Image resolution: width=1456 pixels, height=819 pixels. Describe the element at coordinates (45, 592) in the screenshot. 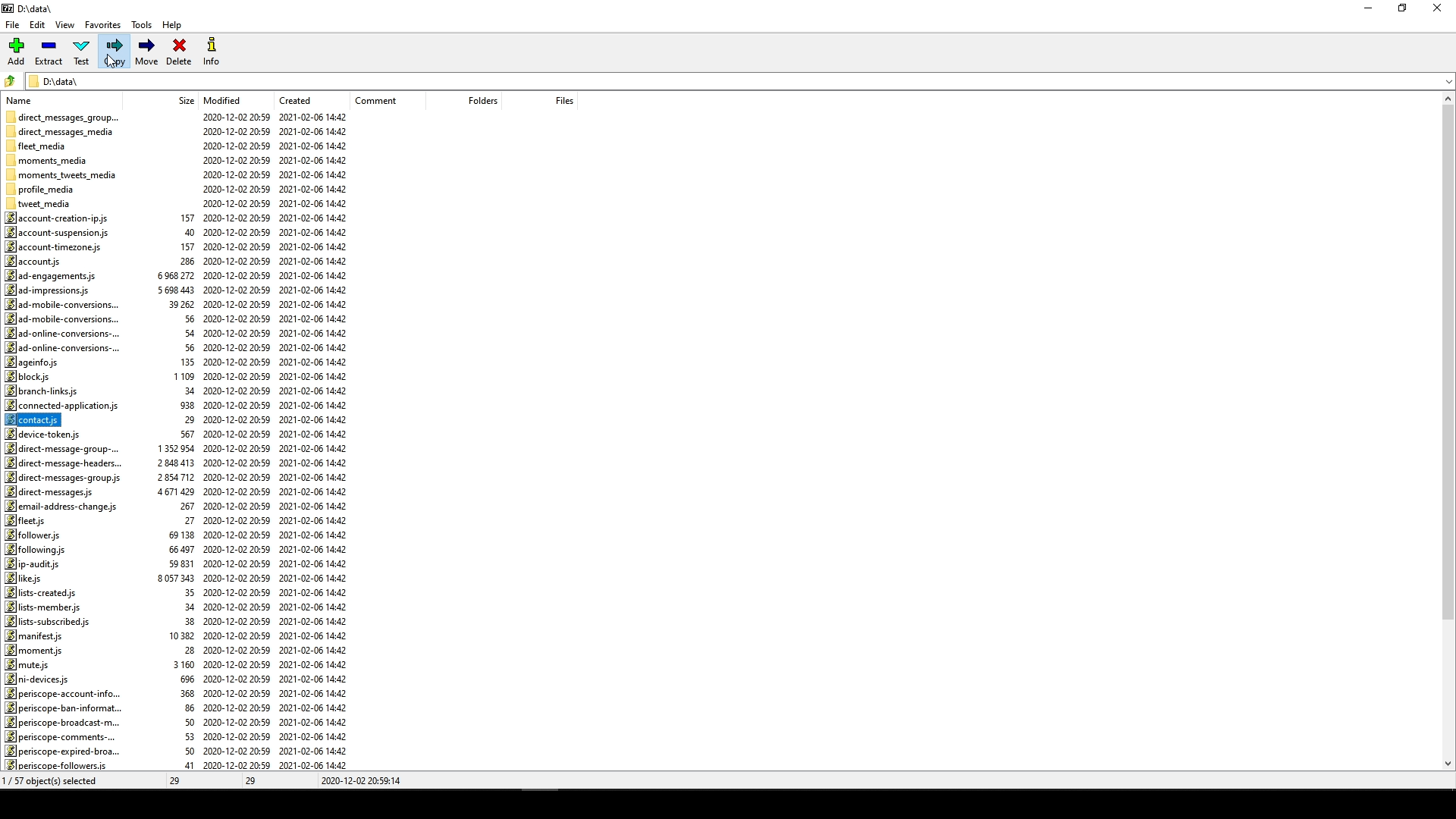

I see `lists-created.js` at that location.